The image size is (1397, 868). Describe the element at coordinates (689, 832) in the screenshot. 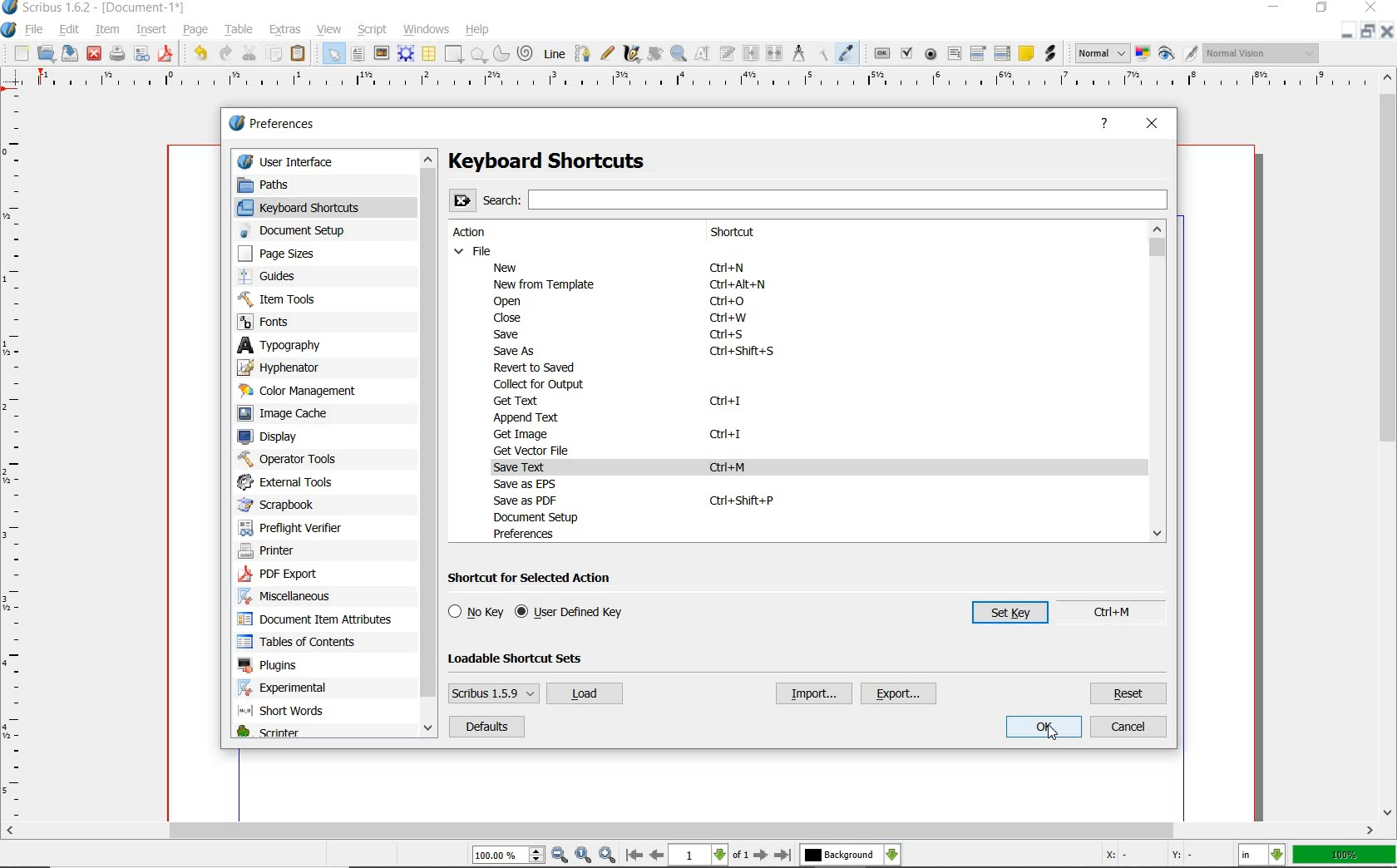

I see `scrollbar` at that location.